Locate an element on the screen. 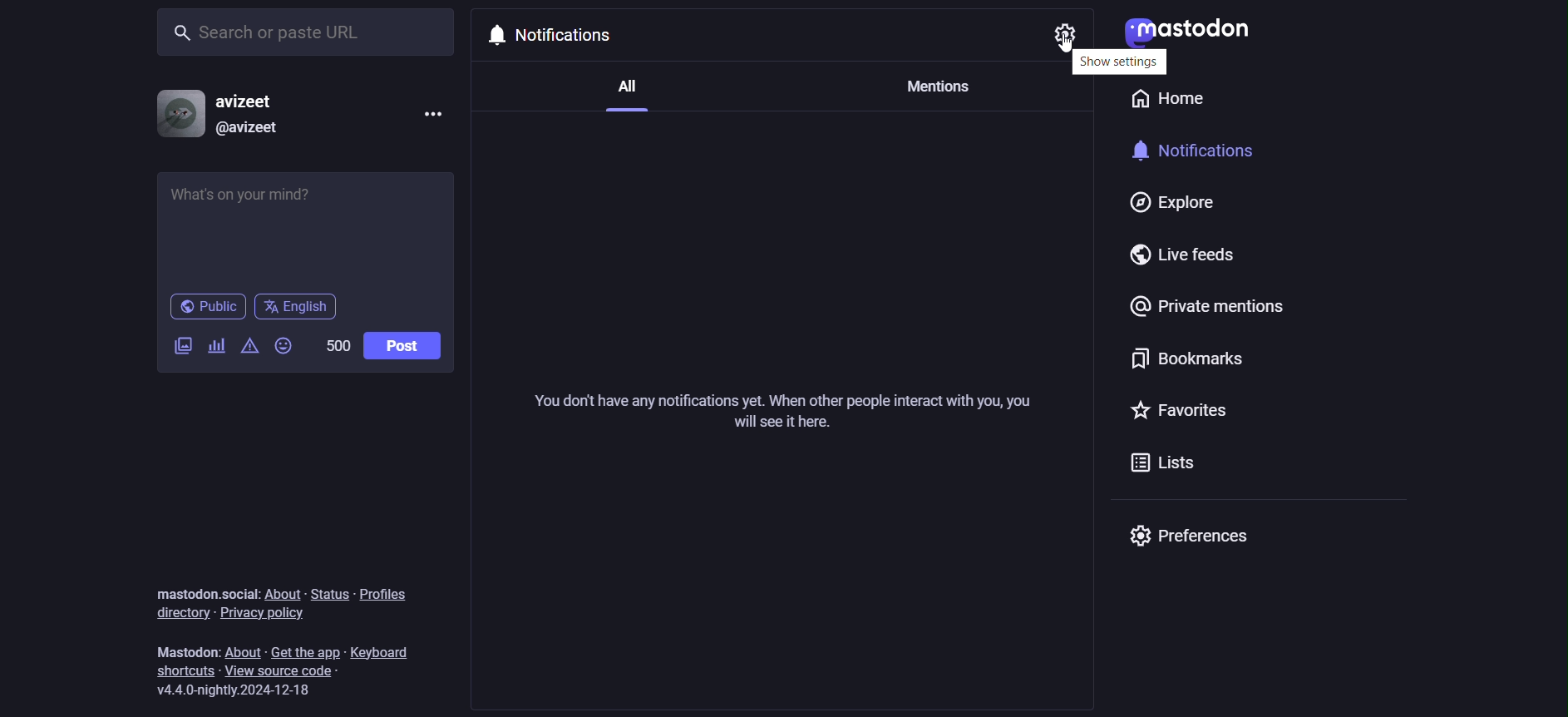 This screenshot has height=717, width=1568. mastodon is located at coordinates (1203, 27).